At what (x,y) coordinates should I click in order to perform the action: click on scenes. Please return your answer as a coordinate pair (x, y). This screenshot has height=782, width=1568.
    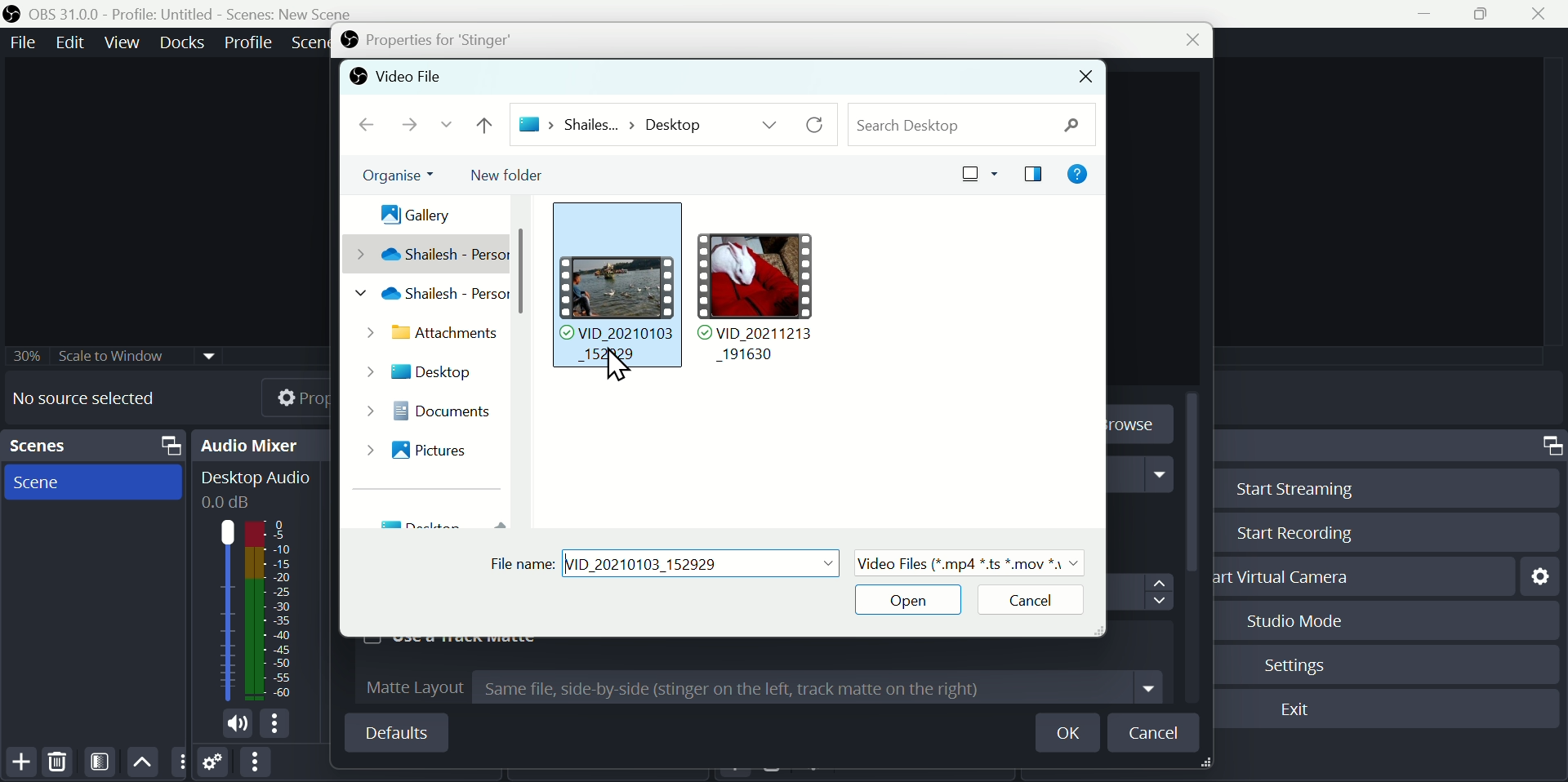
    Looking at the image, I should click on (93, 482).